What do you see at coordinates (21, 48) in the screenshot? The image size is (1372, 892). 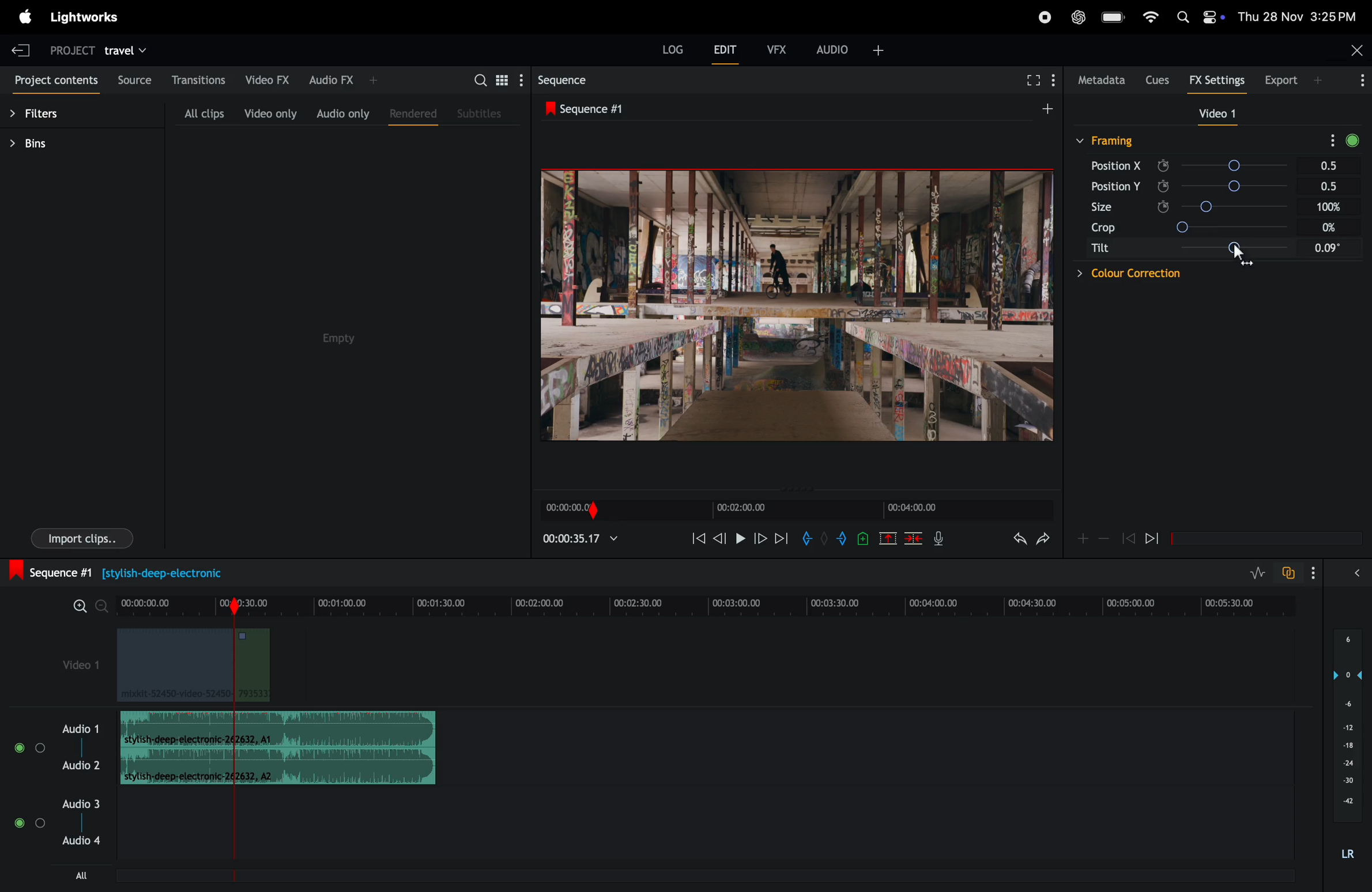 I see `exit` at bounding box center [21, 48].